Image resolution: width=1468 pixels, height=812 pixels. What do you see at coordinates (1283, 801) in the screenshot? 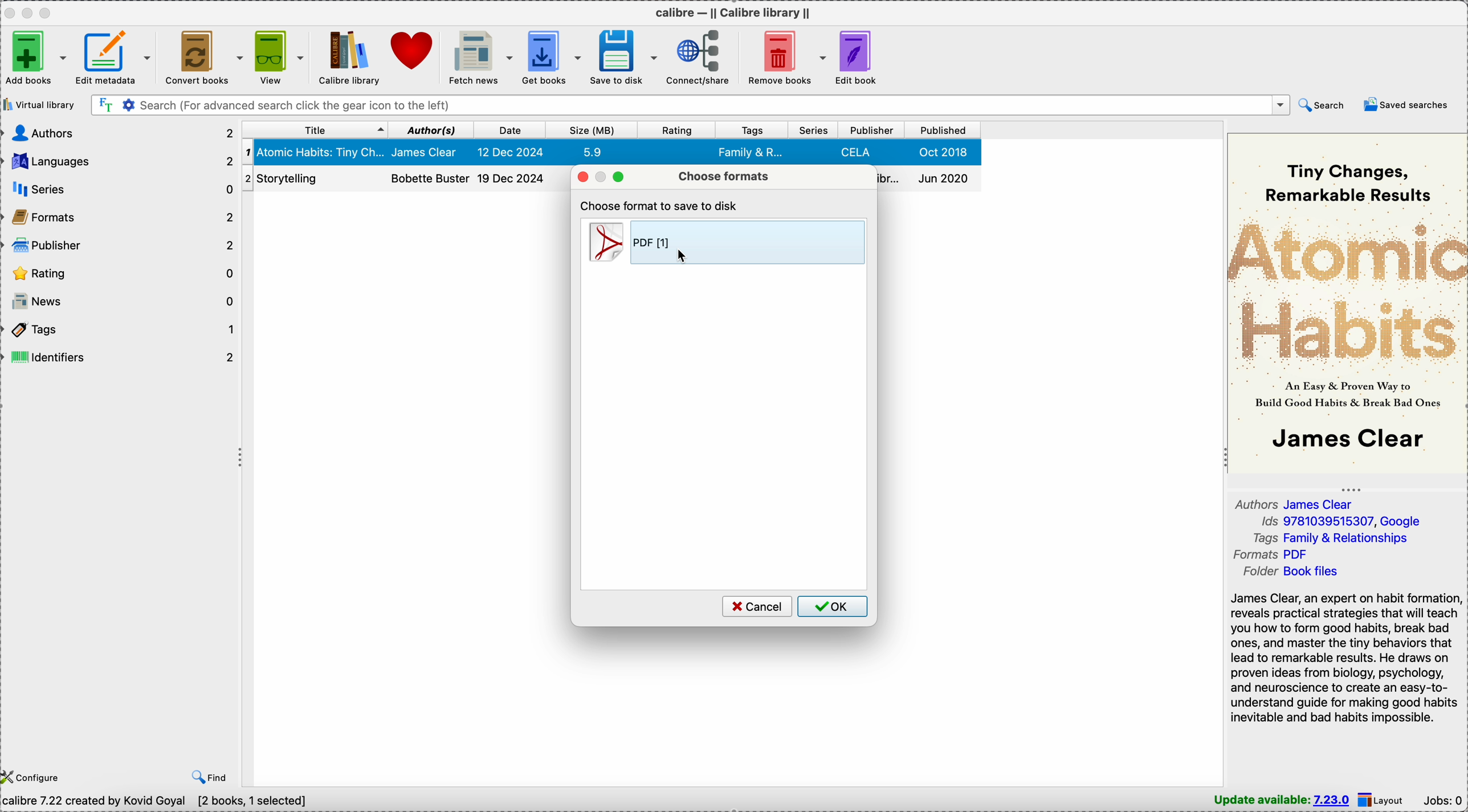
I see `update available: 7.23.0` at bounding box center [1283, 801].